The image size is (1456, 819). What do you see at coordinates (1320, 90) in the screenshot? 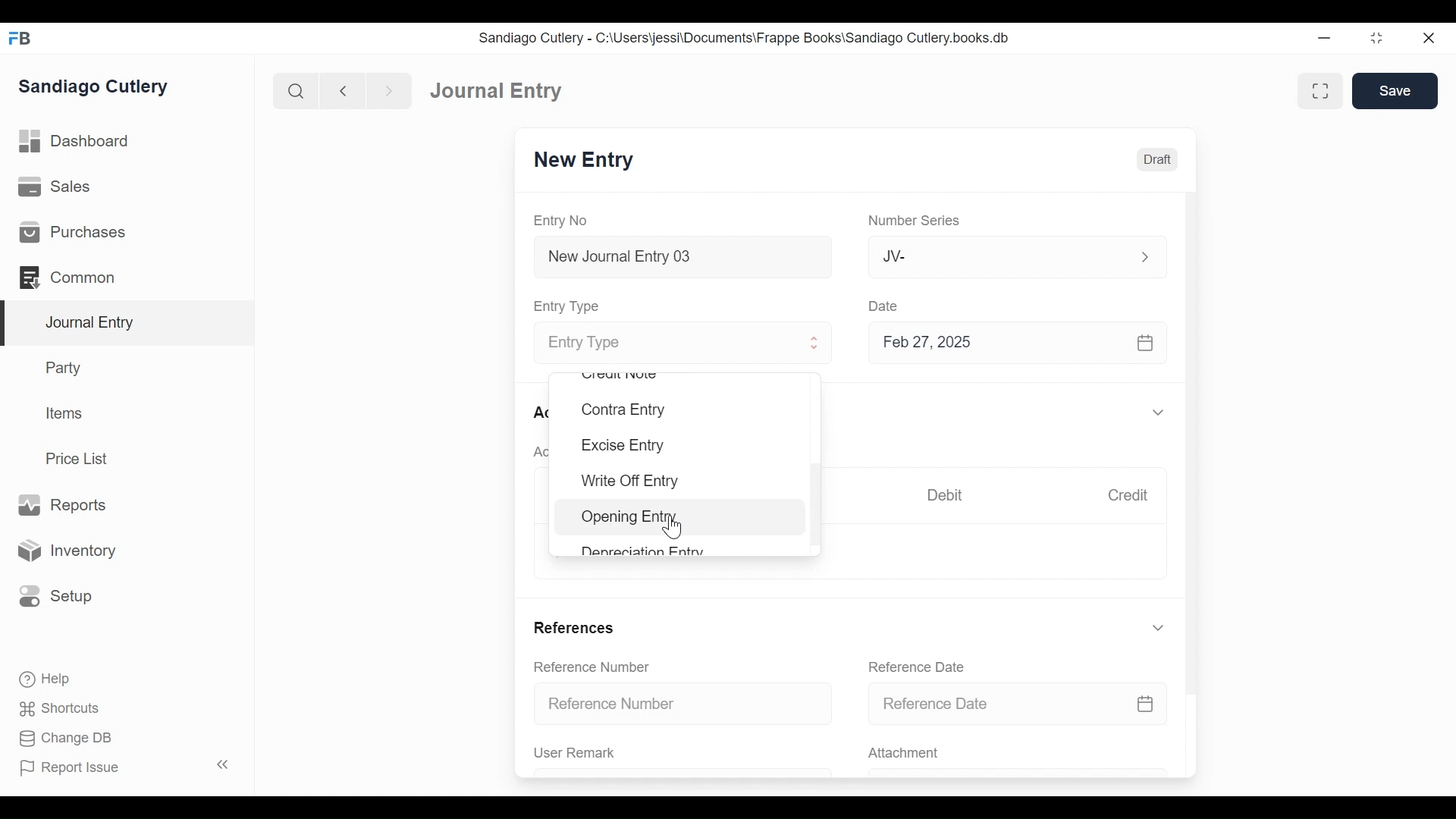
I see `Toggle between form and full width` at bounding box center [1320, 90].